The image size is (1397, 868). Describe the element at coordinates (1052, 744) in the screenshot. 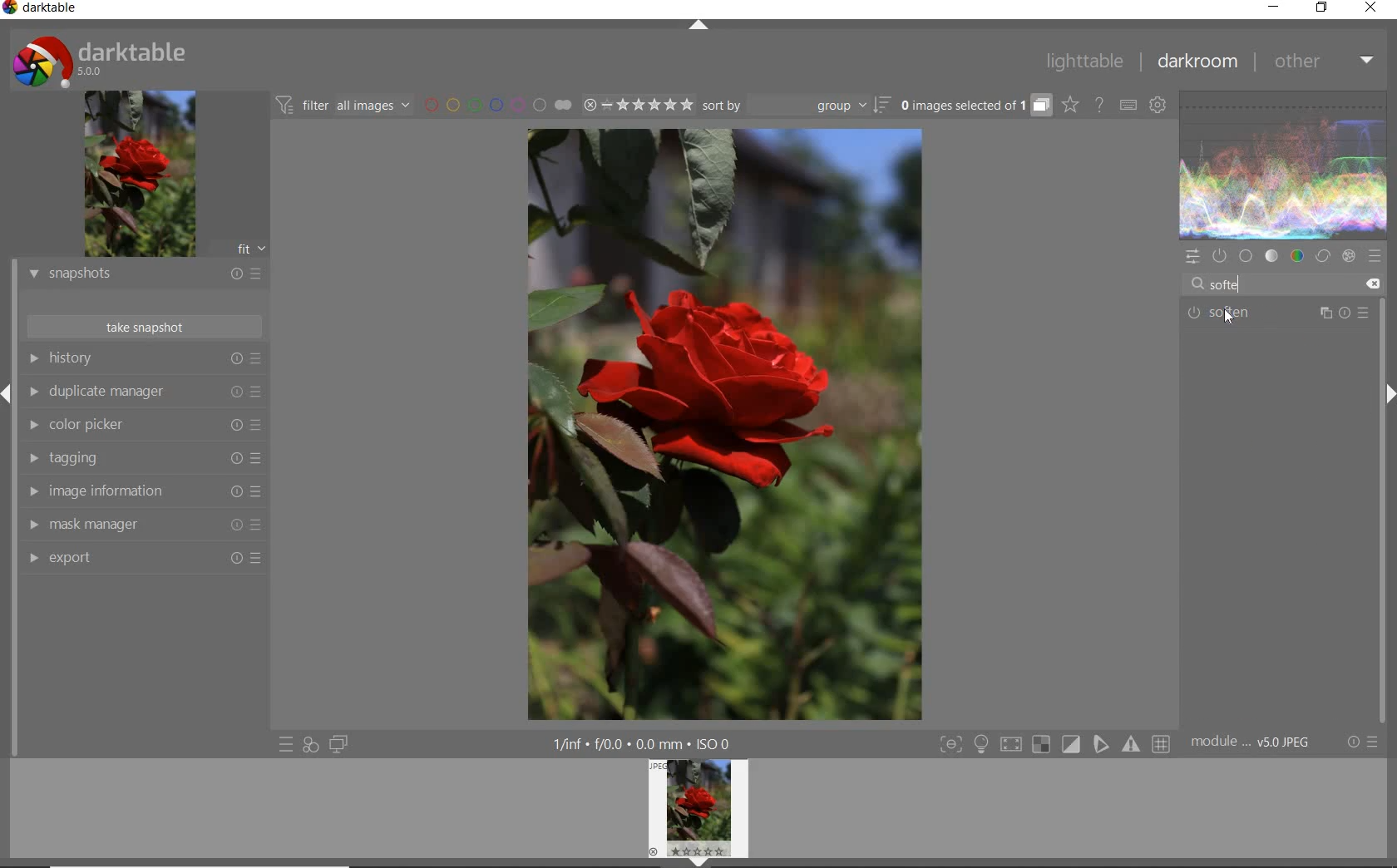

I see `Toggle modes` at that location.